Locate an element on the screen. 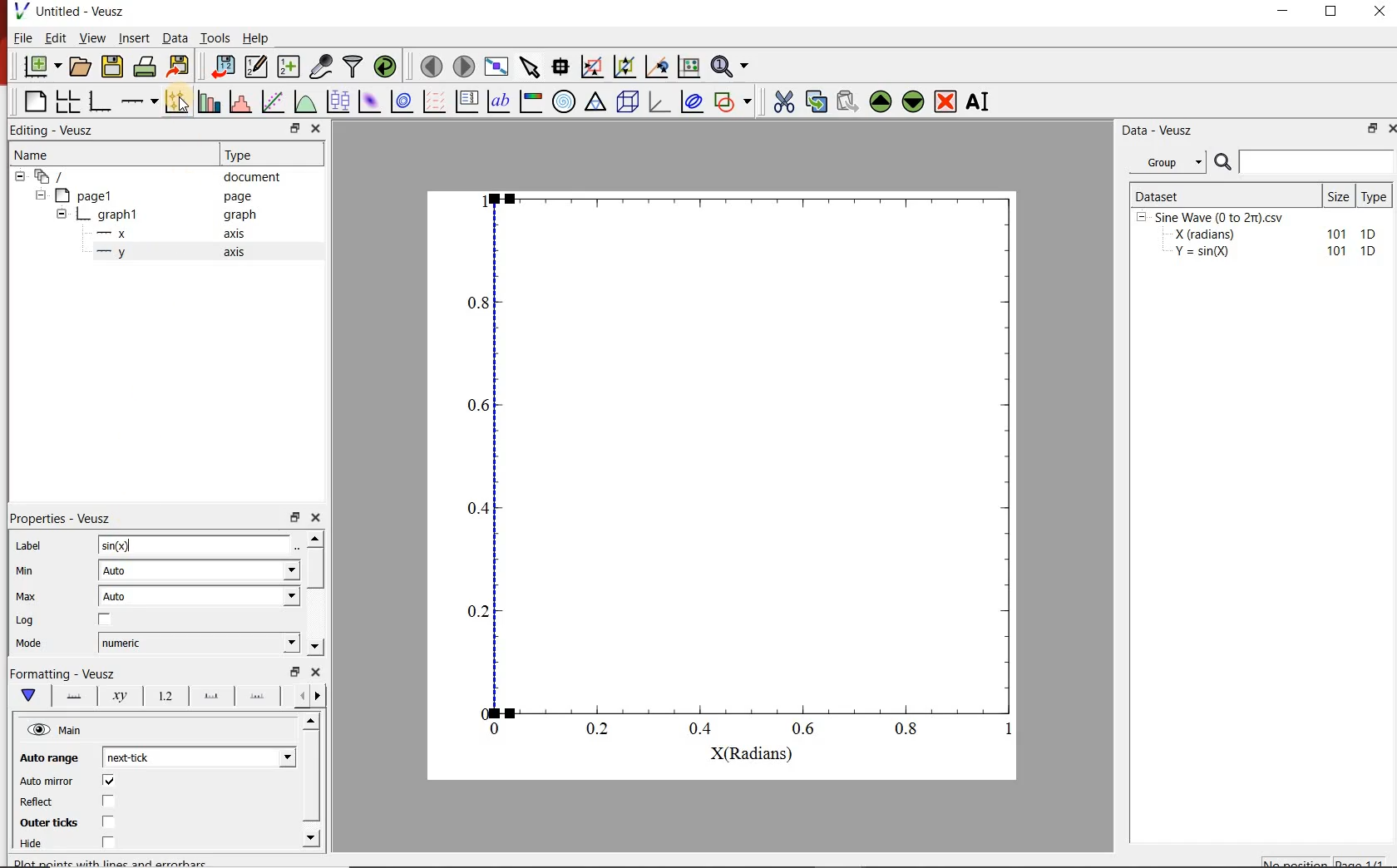 The width and height of the screenshot is (1397, 868). Page 1 Graph 1 is located at coordinates (80, 216).